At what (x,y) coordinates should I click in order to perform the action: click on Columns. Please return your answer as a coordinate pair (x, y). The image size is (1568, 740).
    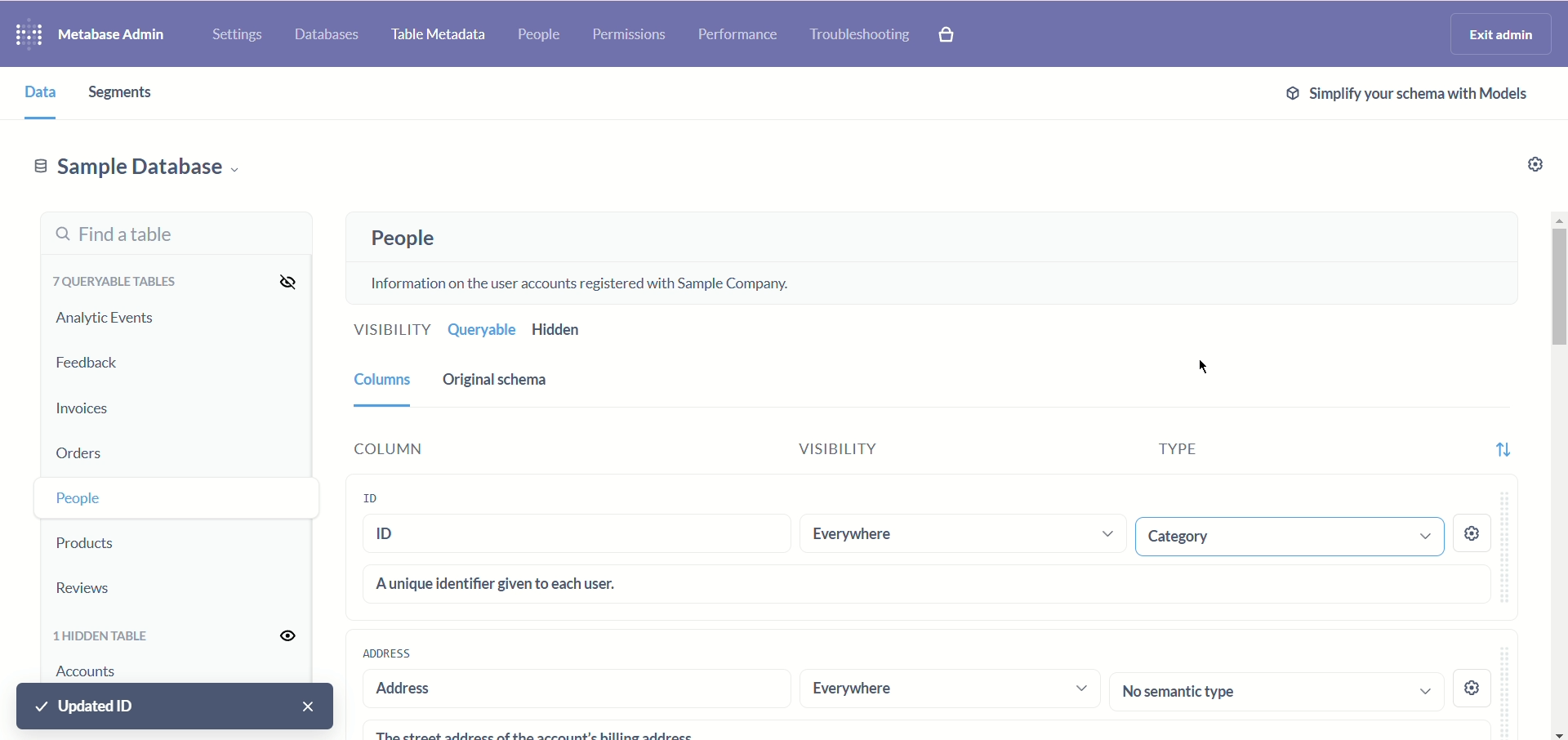
    Looking at the image, I should click on (379, 378).